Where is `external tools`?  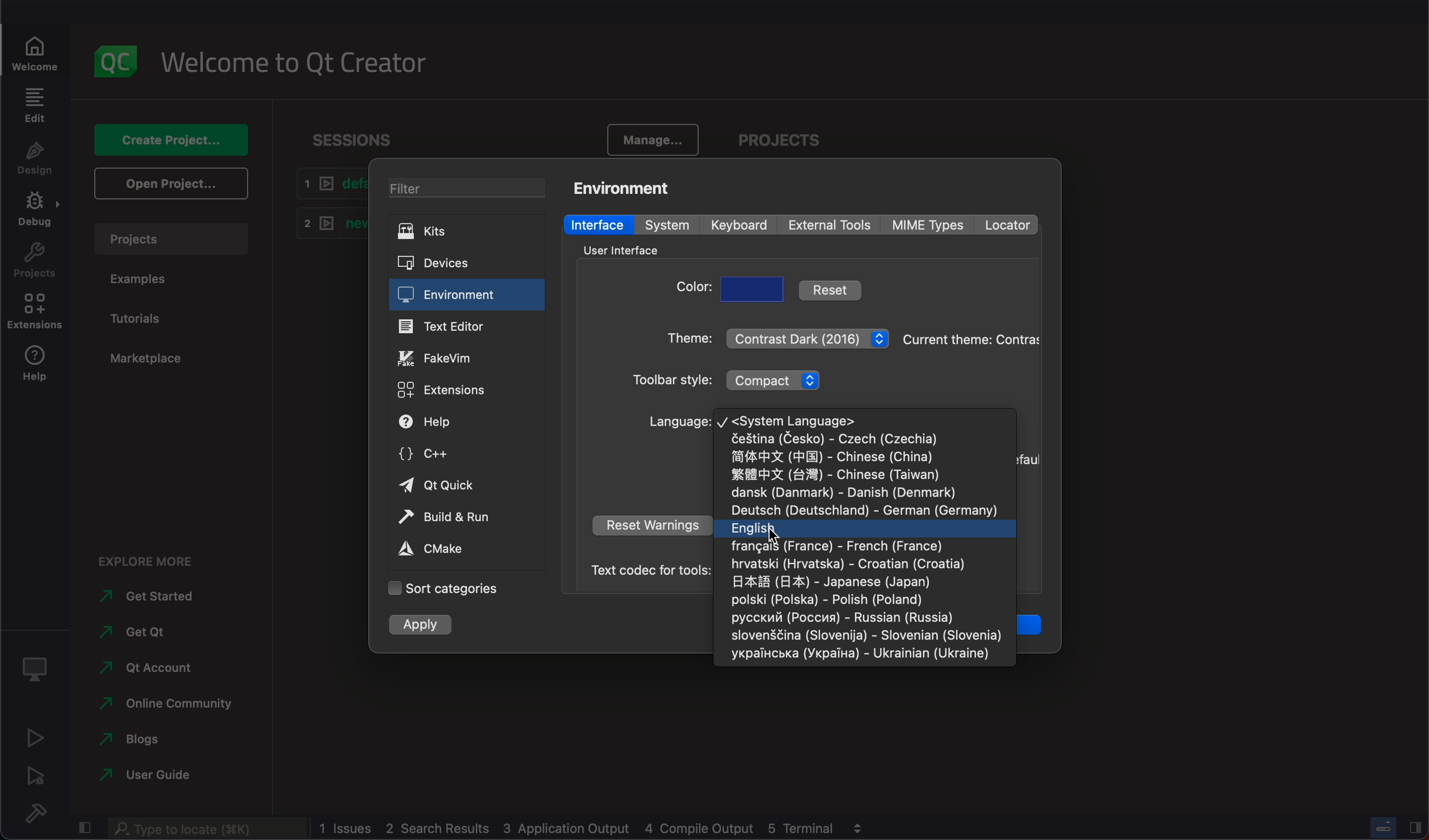
external tools is located at coordinates (835, 226).